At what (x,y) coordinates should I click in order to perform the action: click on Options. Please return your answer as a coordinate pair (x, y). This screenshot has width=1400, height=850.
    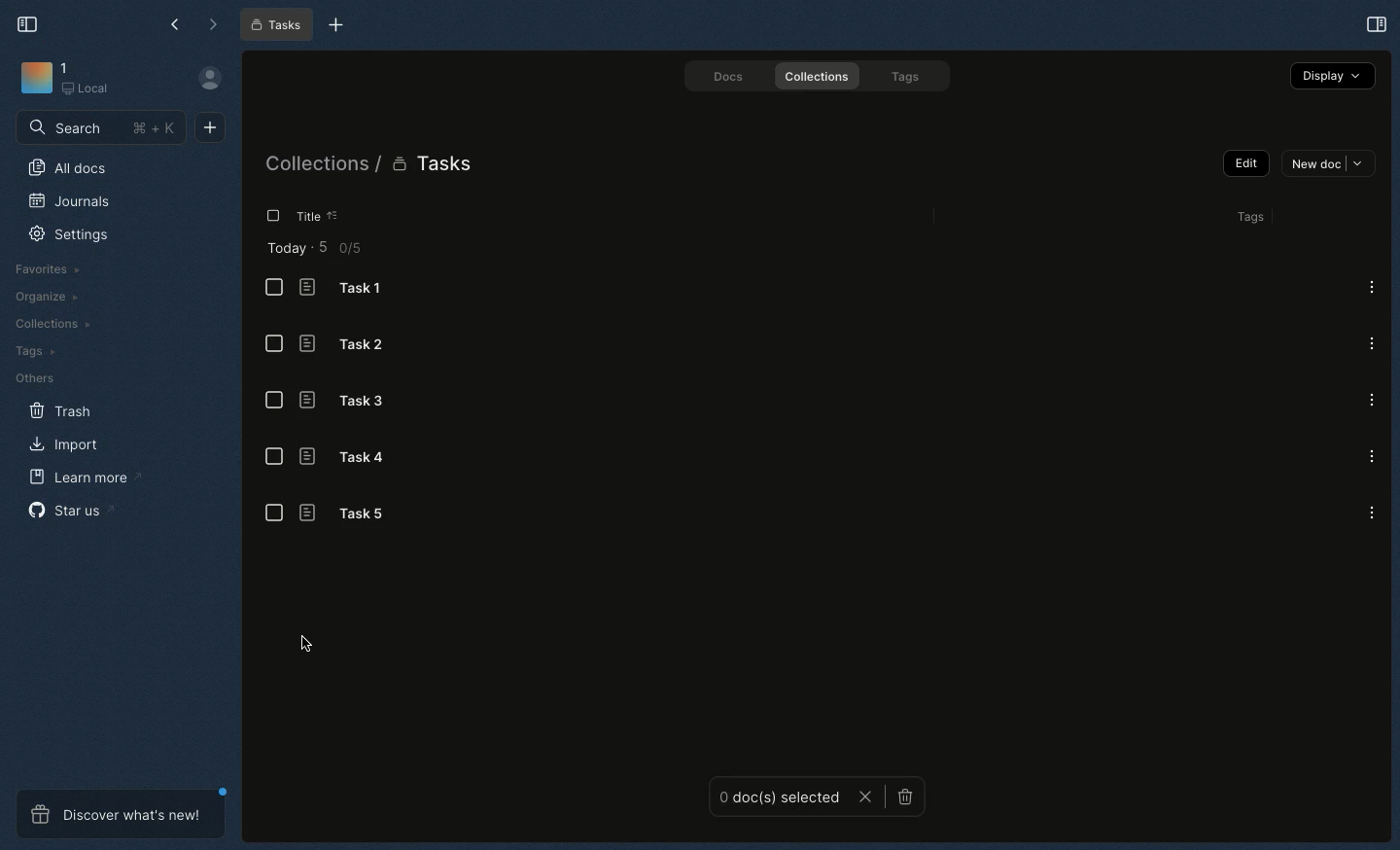
    Looking at the image, I should click on (1371, 286).